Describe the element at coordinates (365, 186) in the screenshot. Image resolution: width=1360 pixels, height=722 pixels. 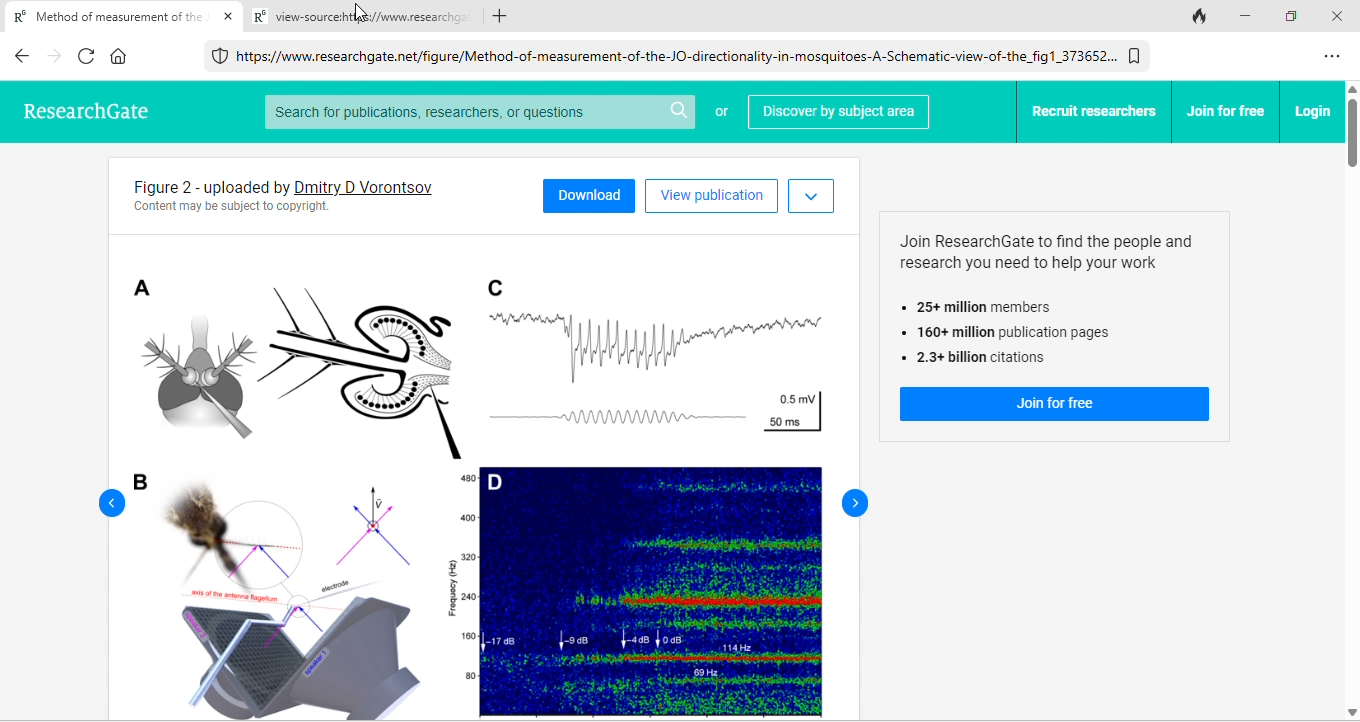
I see `author Dimitry D Vorontsov profile link` at that location.